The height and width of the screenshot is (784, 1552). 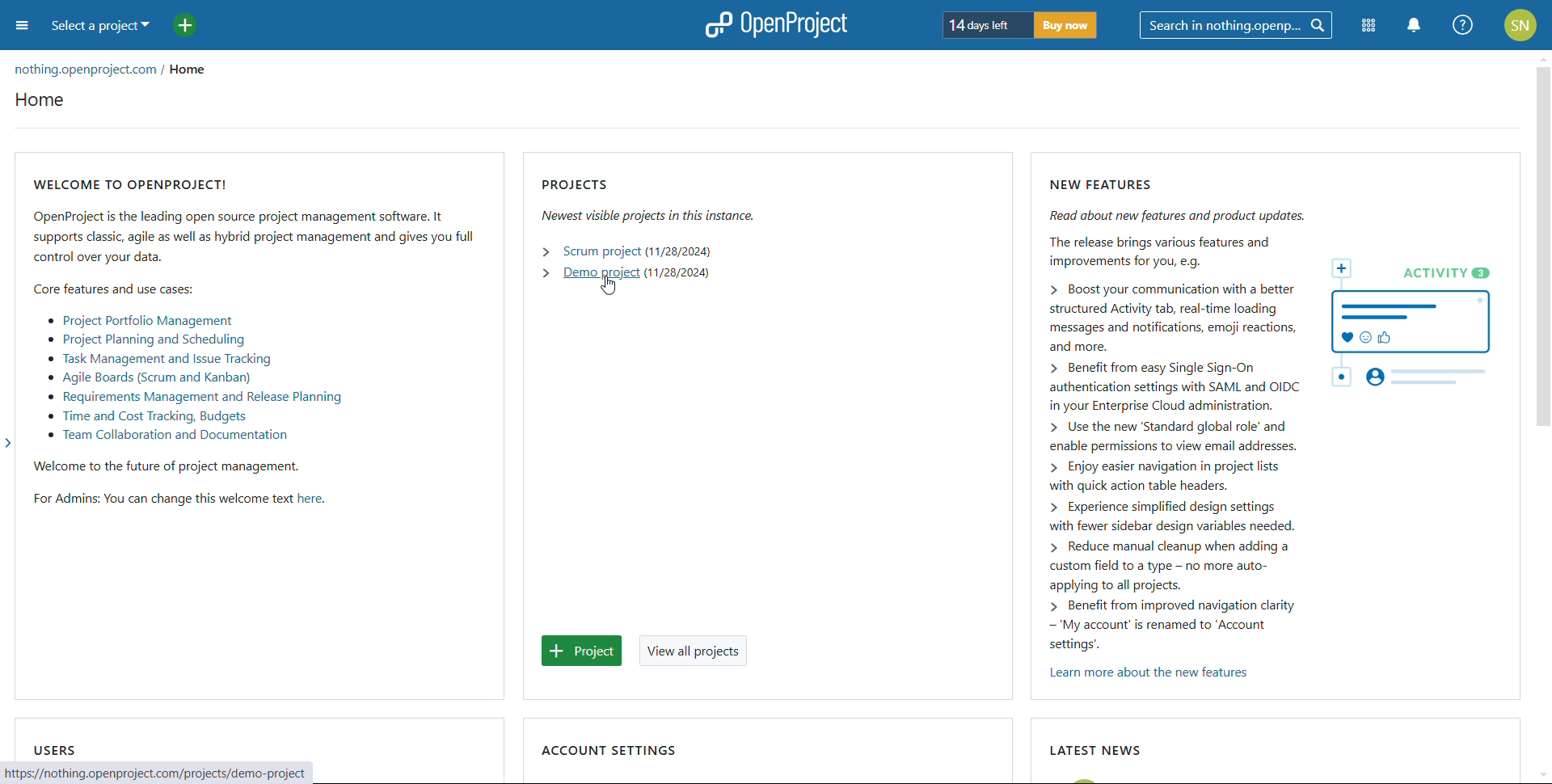 I want to click on projects, so click(x=653, y=200).